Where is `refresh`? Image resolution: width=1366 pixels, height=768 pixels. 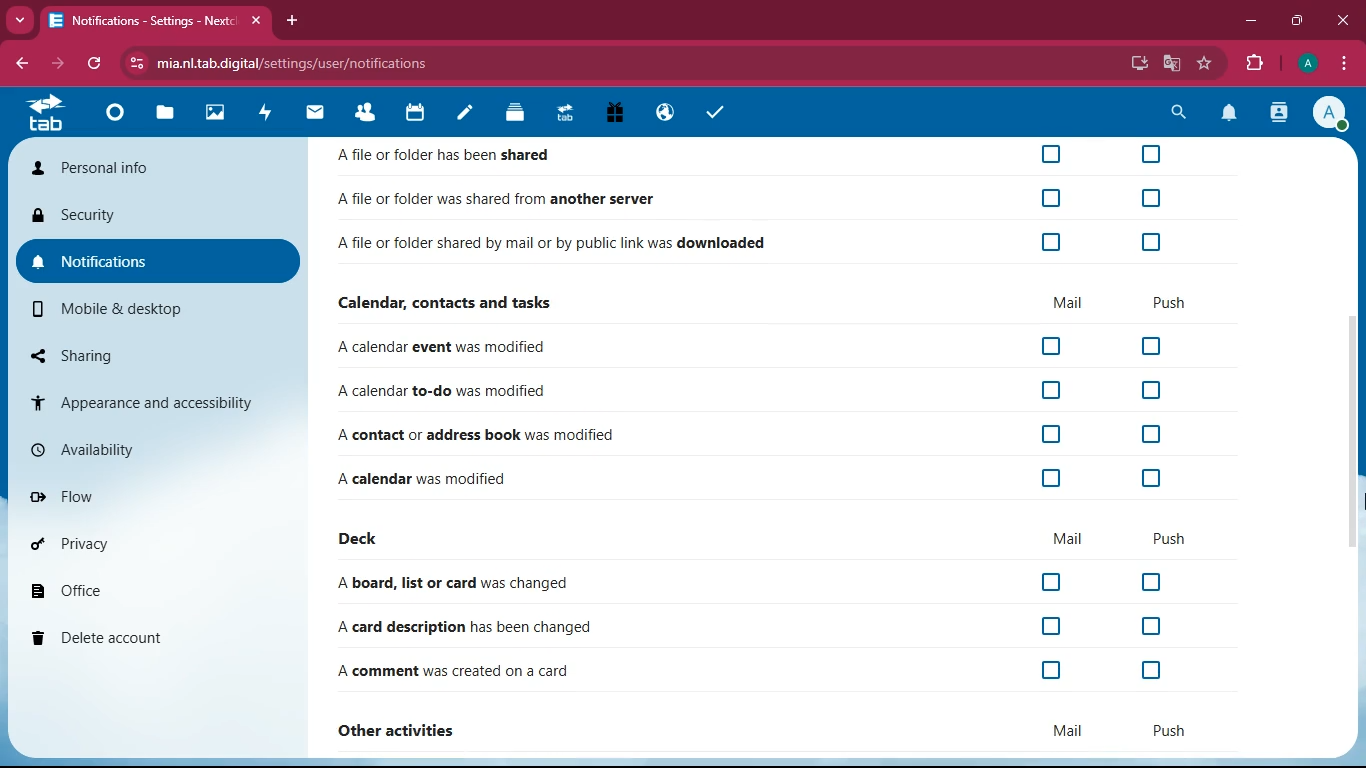
refresh is located at coordinates (94, 64).